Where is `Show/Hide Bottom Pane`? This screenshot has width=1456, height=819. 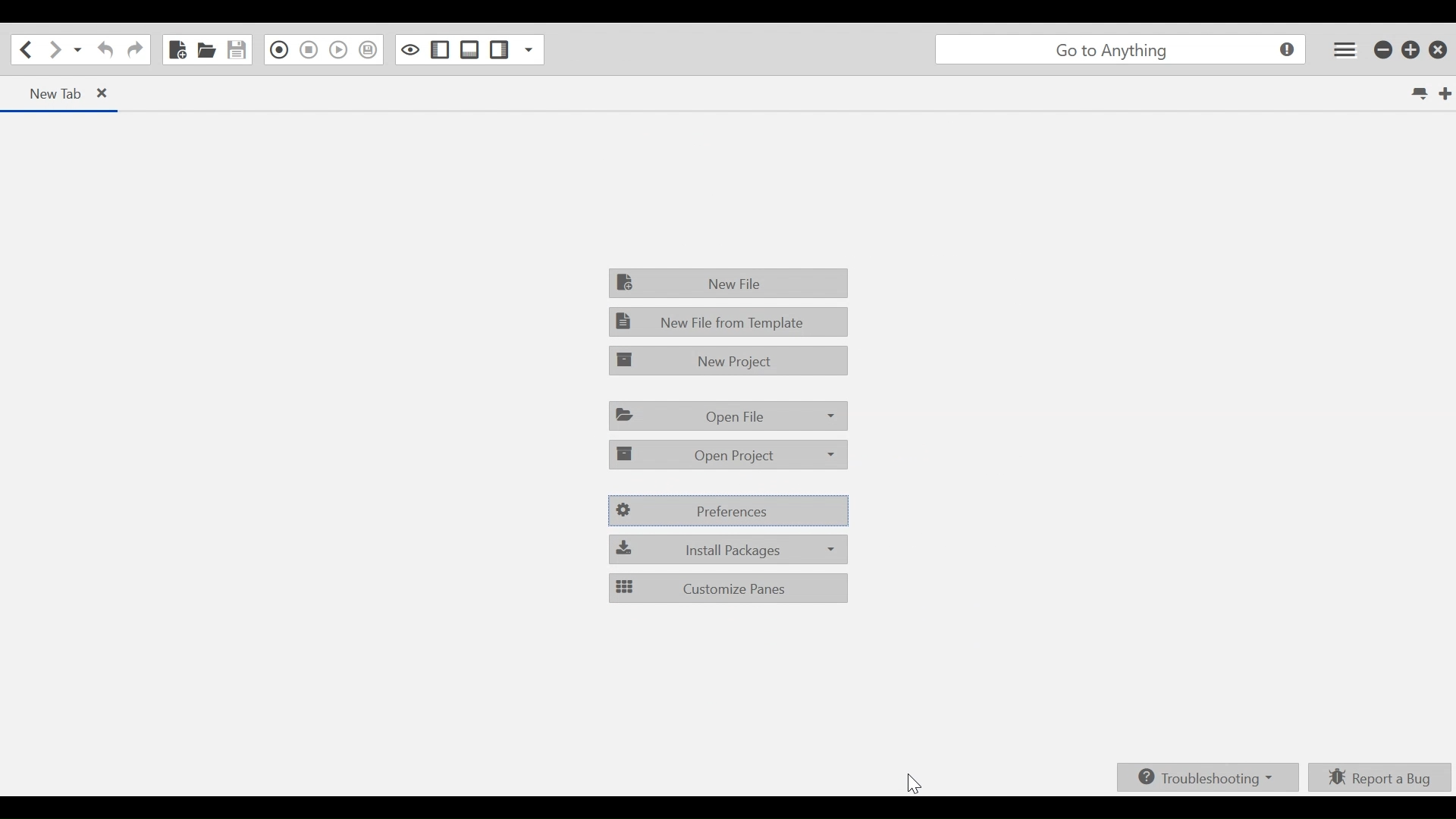
Show/Hide Bottom Pane is located at coordinates (468, 50).